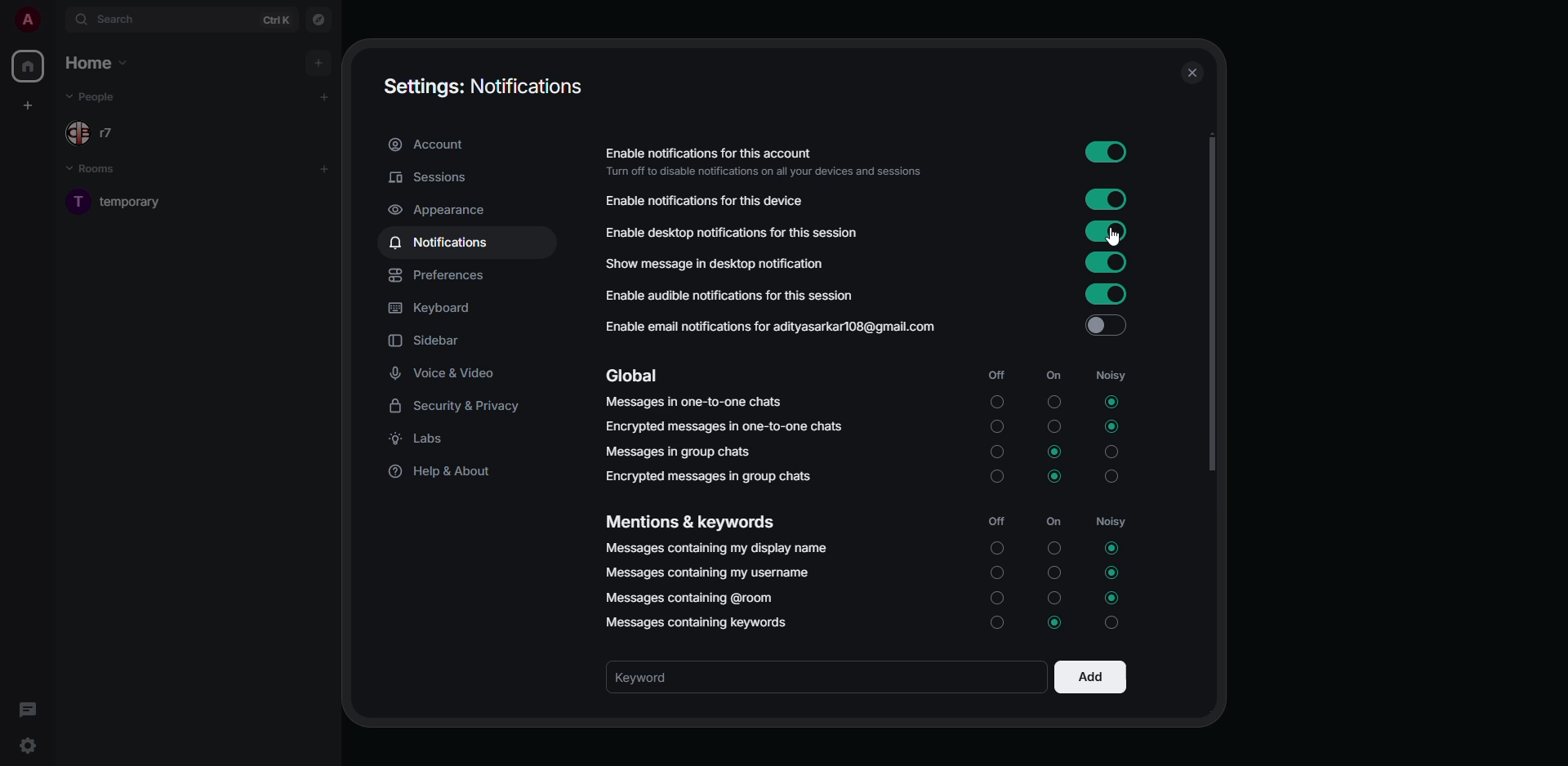 The width and height of the screenshot is (1568, 766). I want to click on off, so click(996, 522).